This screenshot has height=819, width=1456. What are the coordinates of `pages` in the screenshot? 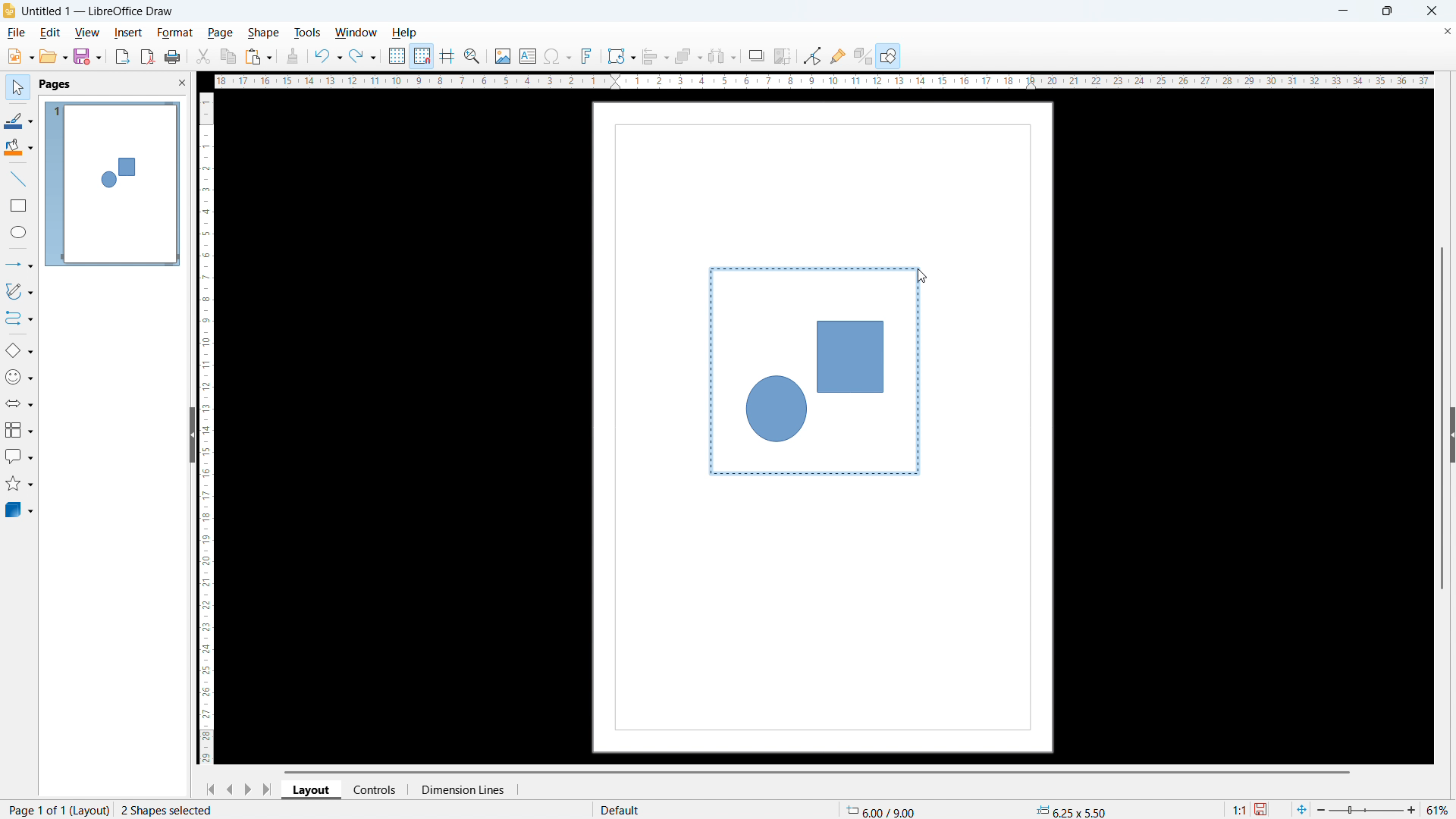 It's located at (56, 83).